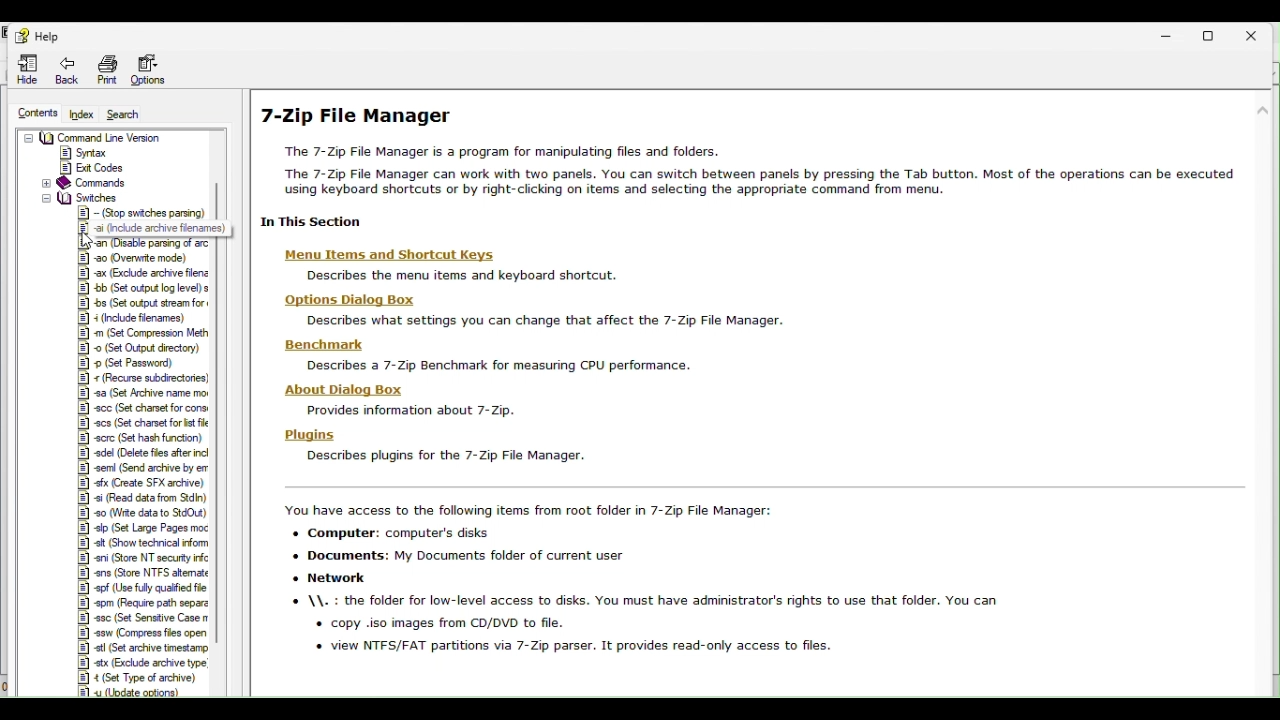 The width and height of the screenshot is (1280, 720). Describe the element at coordinates (96, 168) in the screenshot. I see `Exit Codes` at that location.